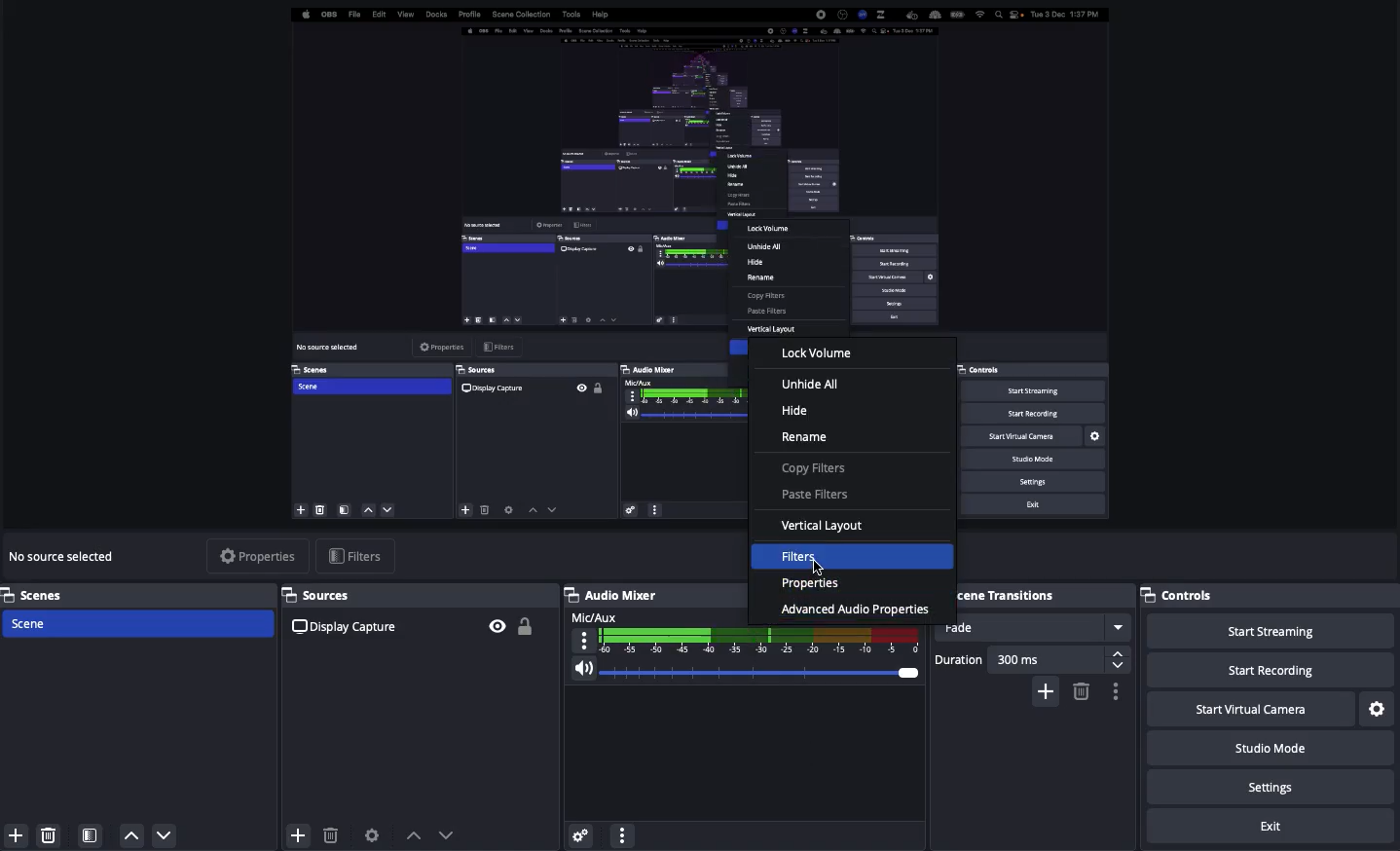 The height and width of the screenshot is (851, 1400). What do you see at coordinates (49, 832) in the screenshot?
I see `Delete` at bounding box center [49, 832].